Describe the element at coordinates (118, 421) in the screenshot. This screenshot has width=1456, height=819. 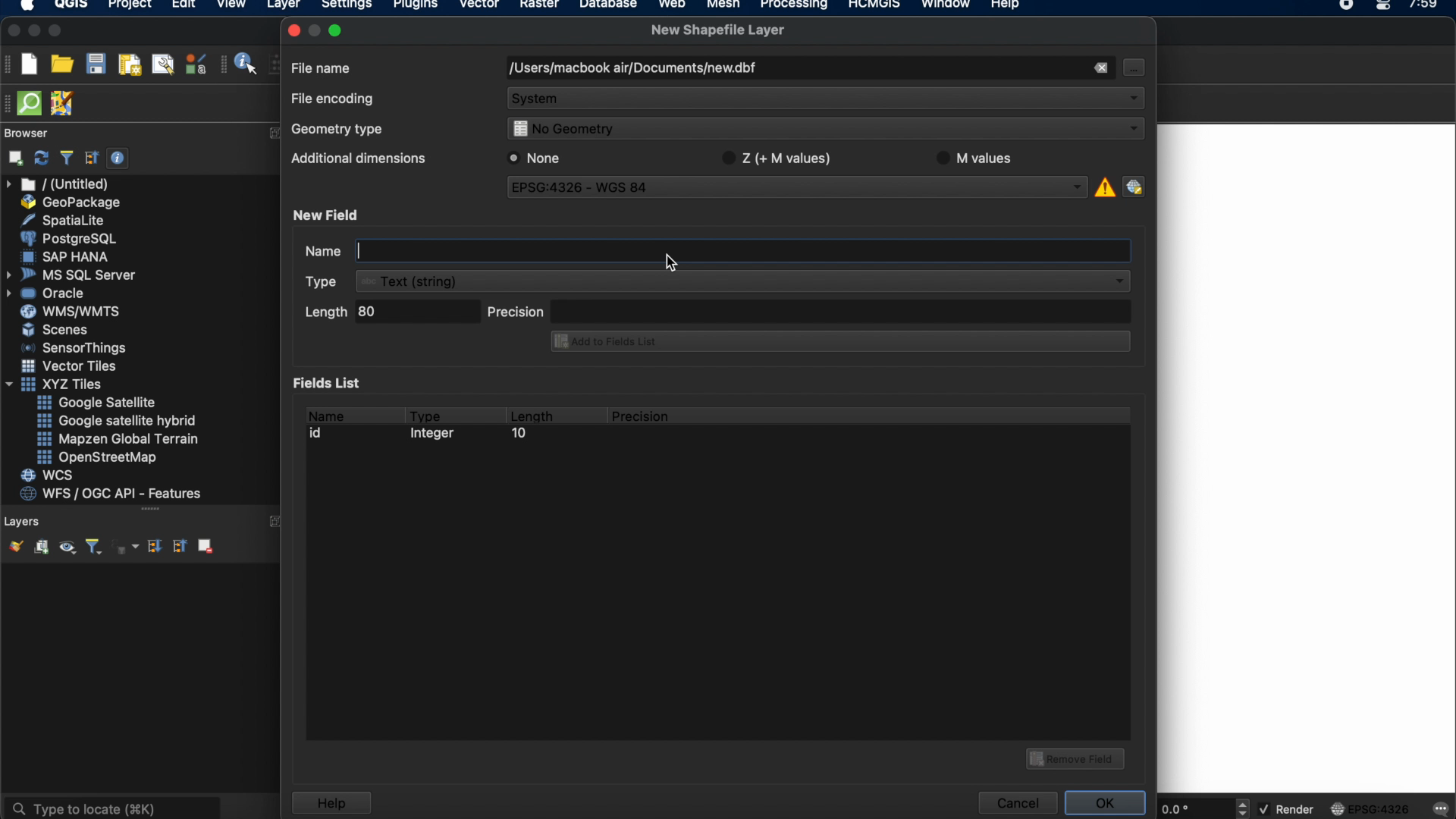
I see `google satellite hybrid` at that location.